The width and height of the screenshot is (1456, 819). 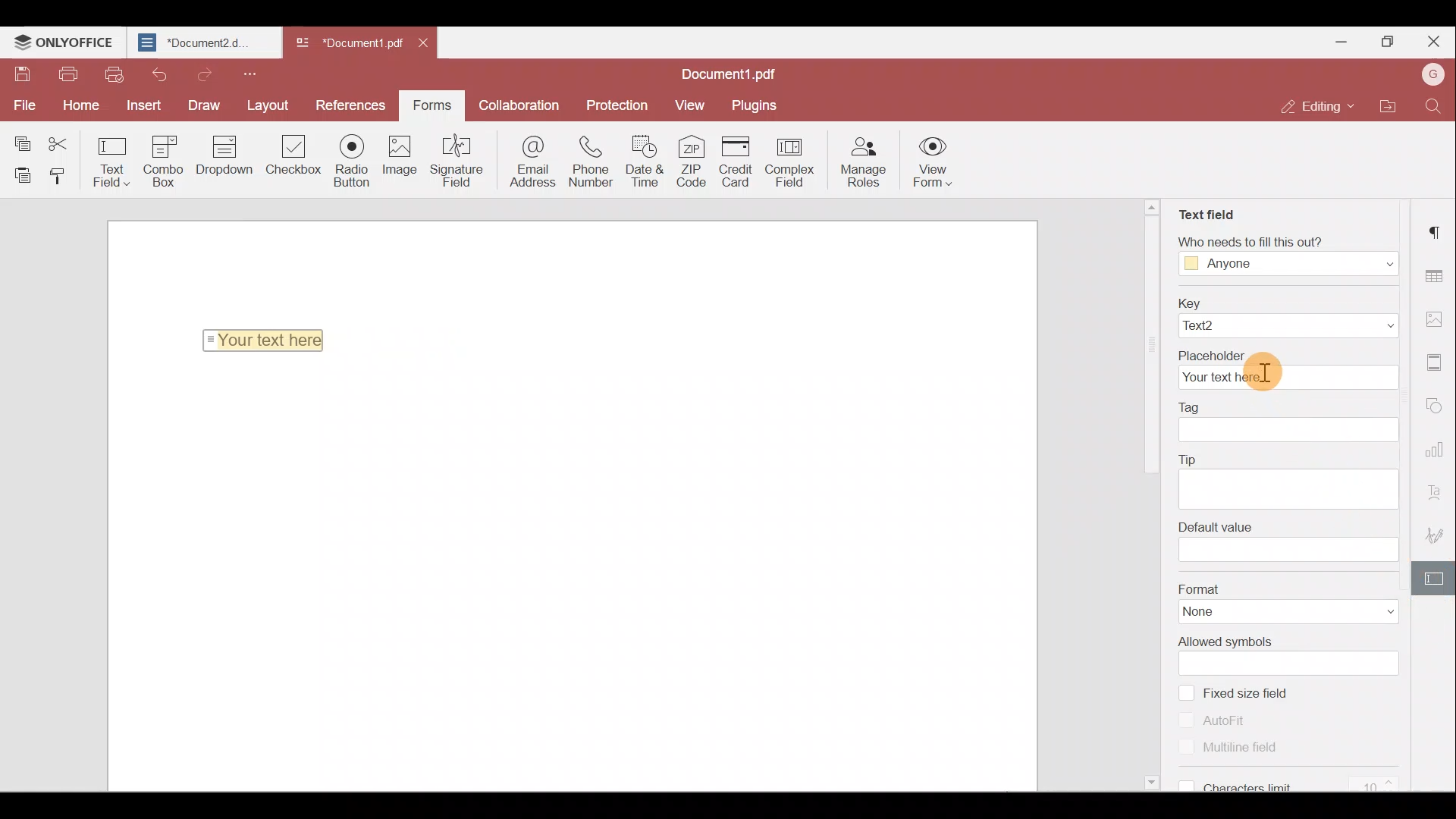 I want to click on Form, so click(x=431, y=103).